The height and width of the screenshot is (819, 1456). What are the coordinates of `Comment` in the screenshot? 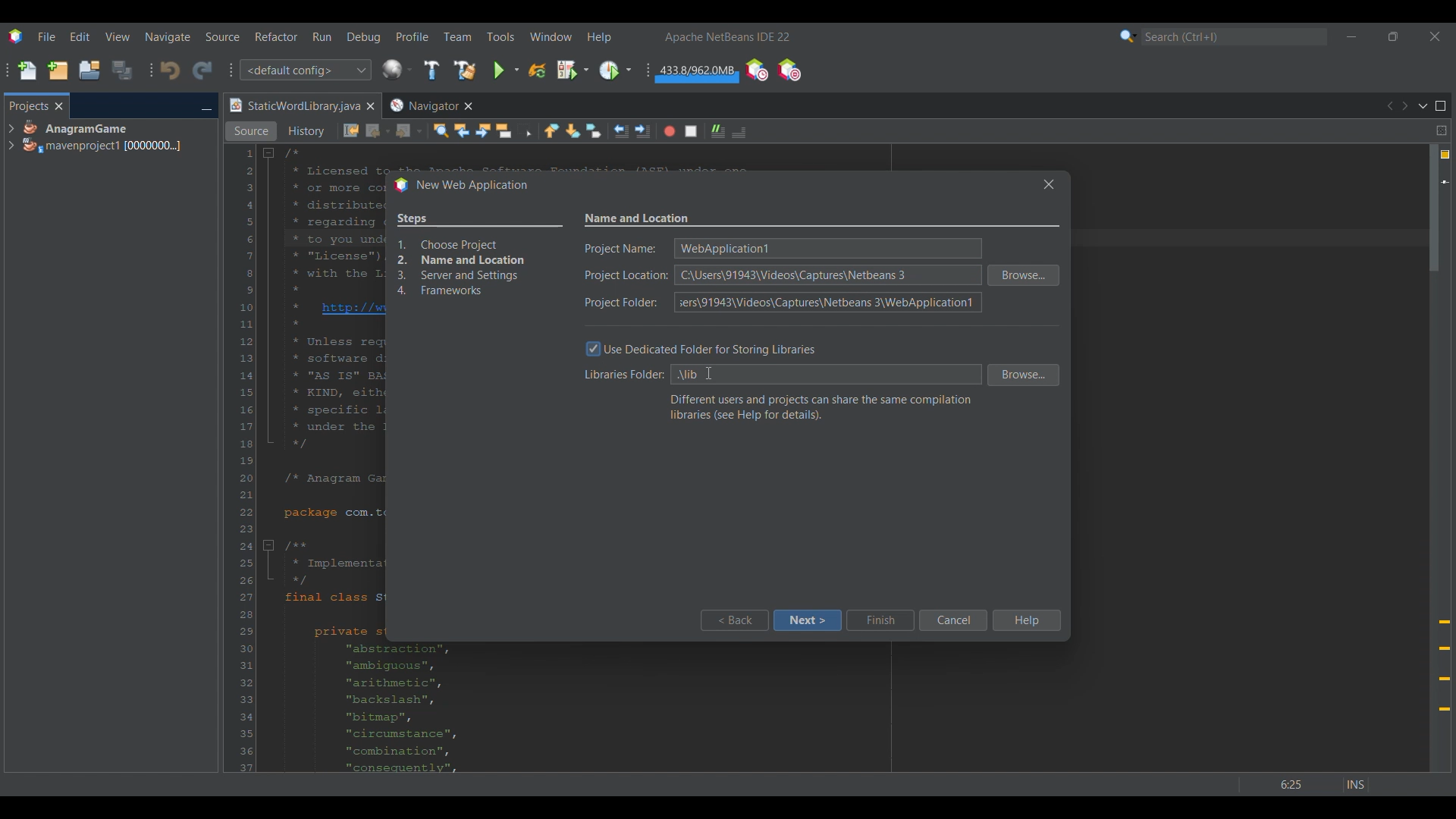 It's located at (739, 132).